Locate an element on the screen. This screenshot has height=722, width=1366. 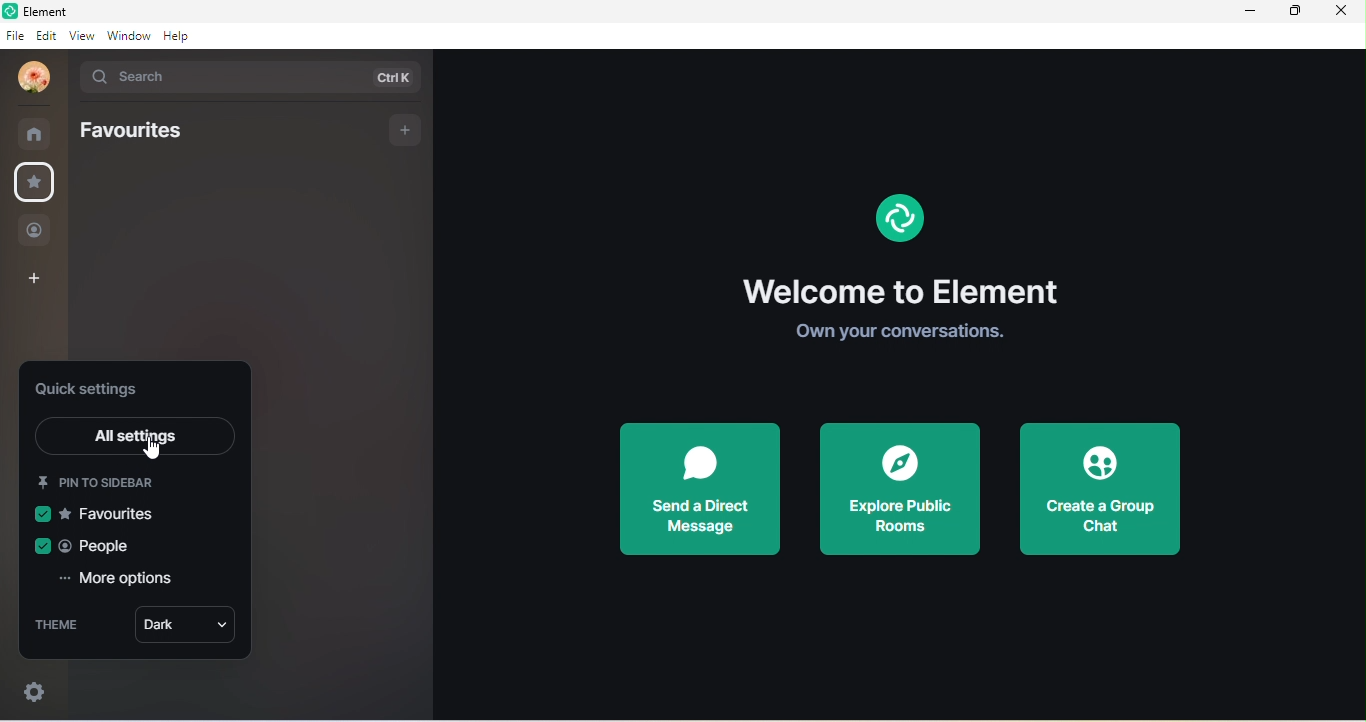
cursor movement is located at coordinates (156, 451).